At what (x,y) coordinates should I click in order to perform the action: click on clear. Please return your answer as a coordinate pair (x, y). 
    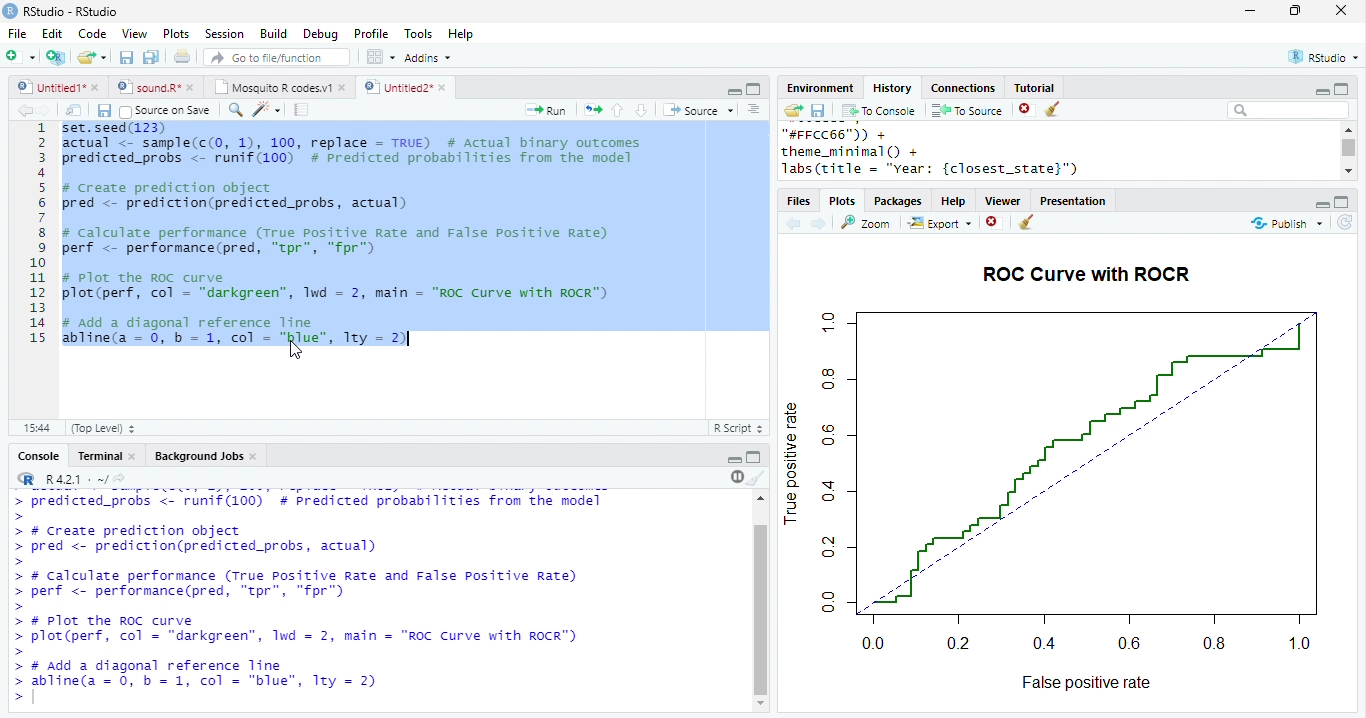
    Looking at the image, I should click on (757, 477).